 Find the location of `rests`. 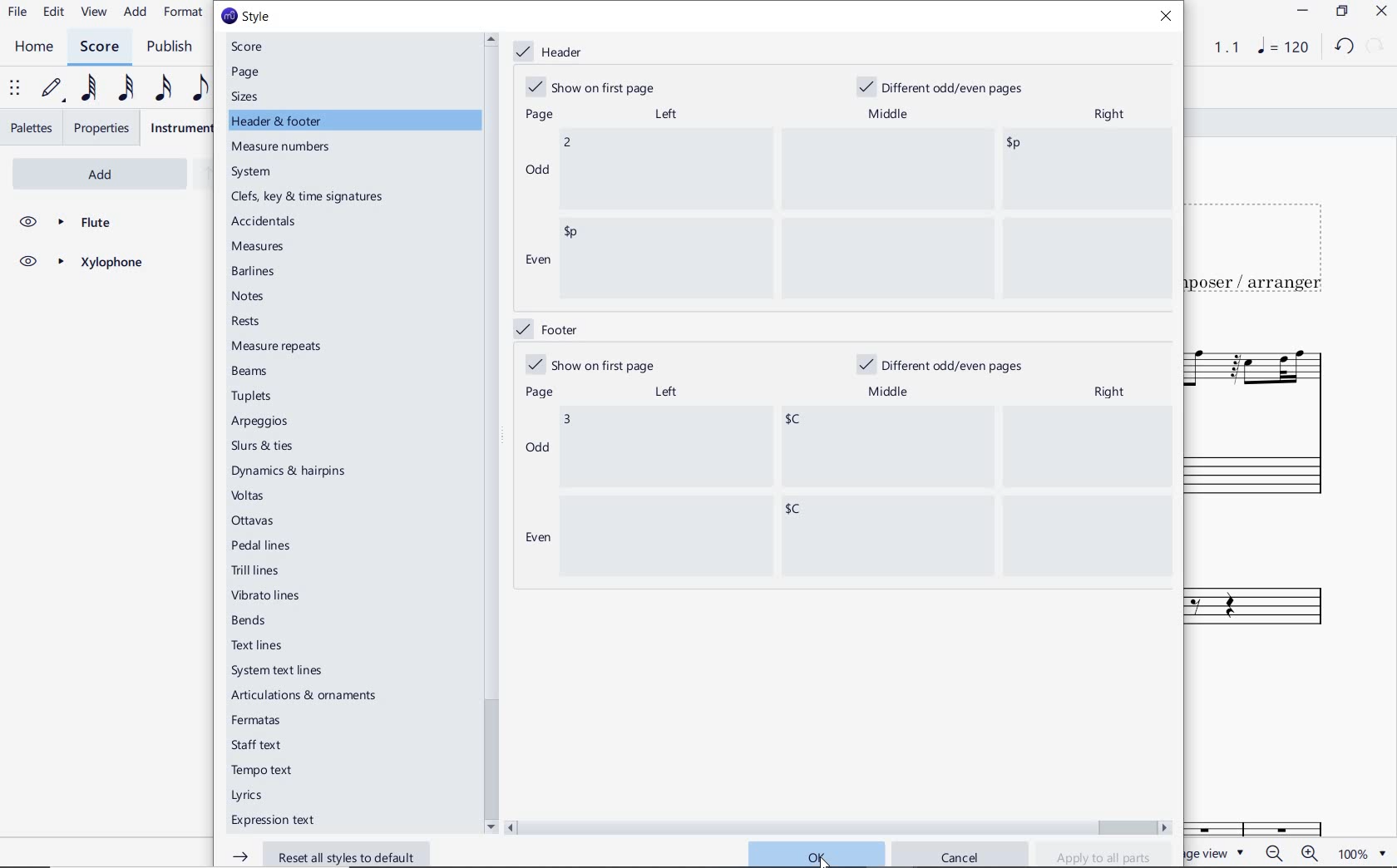

rests is located at coordinates (261, 322).